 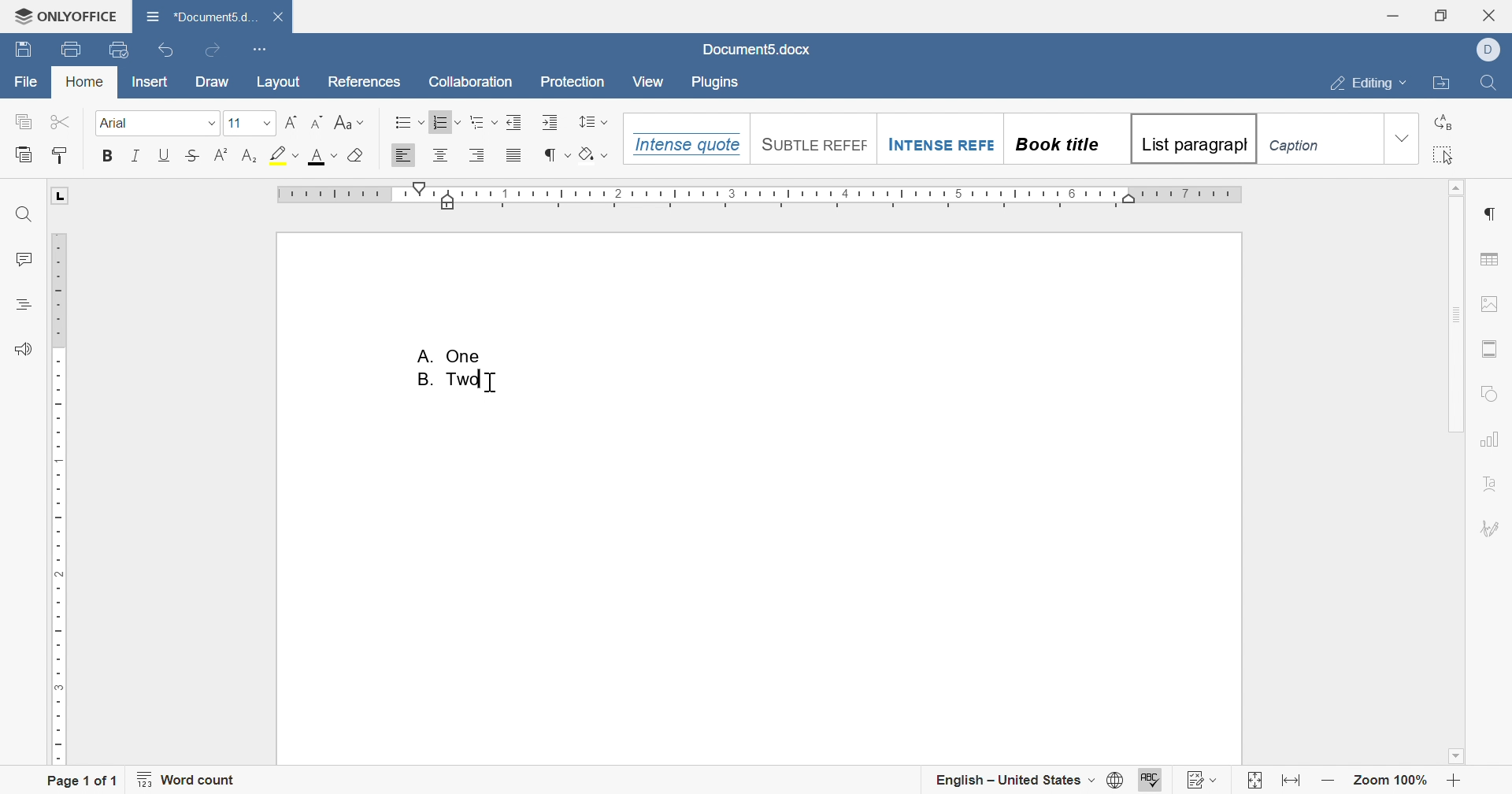 I want to click on open file location, so click(x=1445, y=84).